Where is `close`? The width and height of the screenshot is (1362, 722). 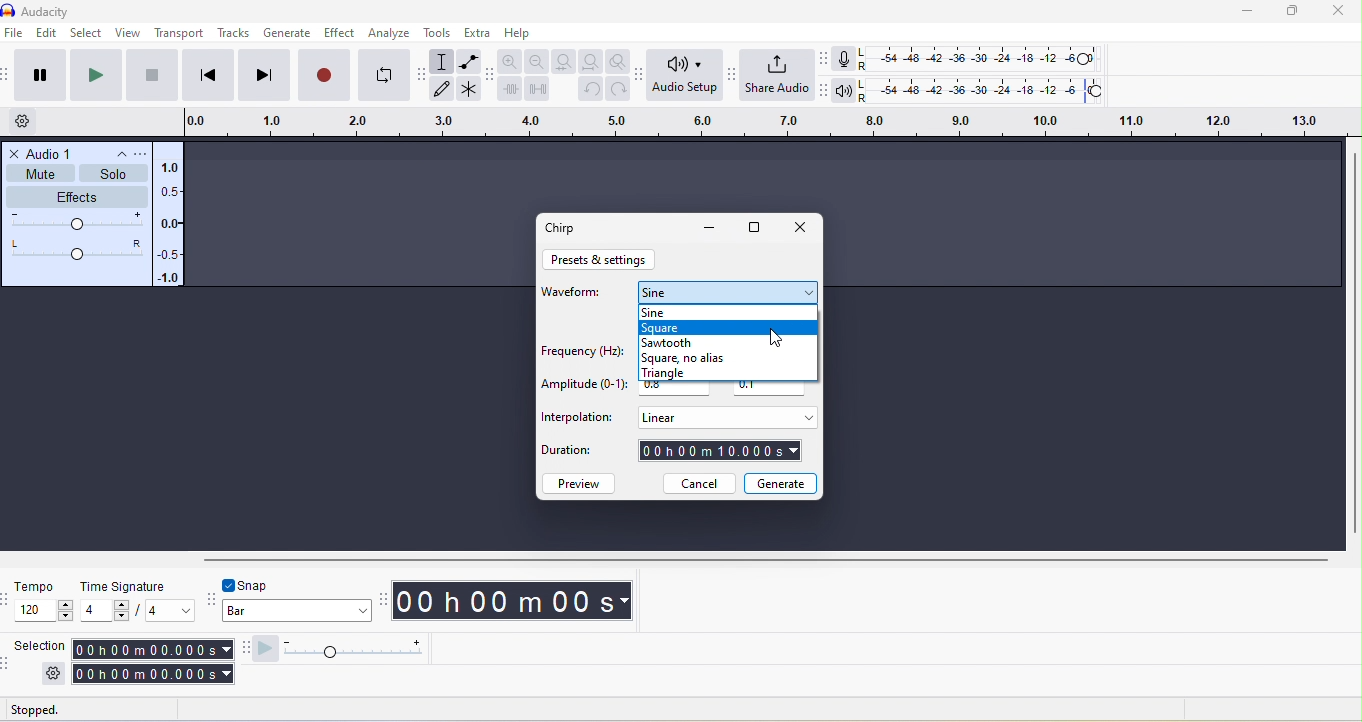 close is located at coordinates (800, 229).